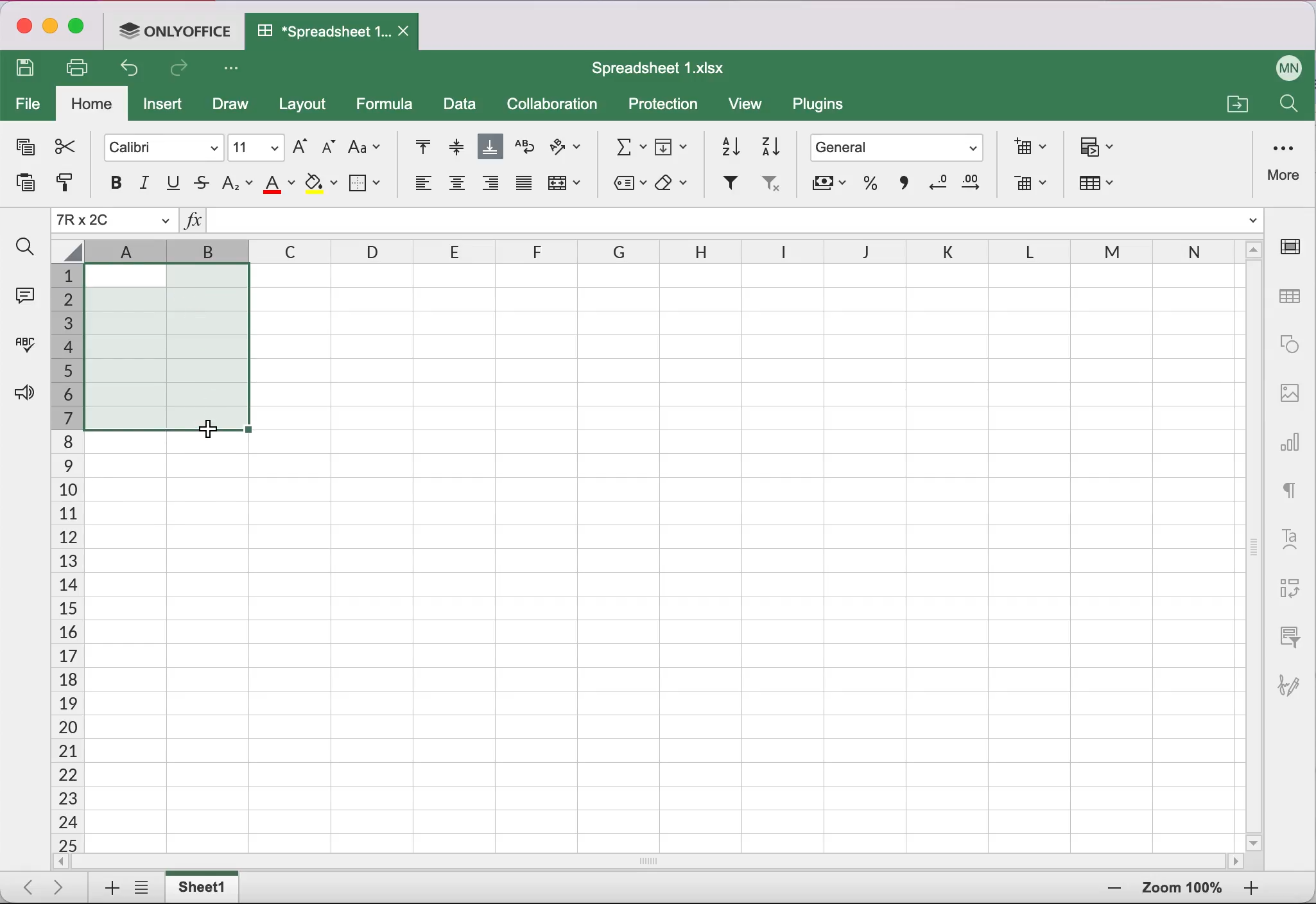 This screenshot has width=1316, height=904. Describe the element at coordinates (65, 559) in the screenshot. I see `number of cells` at that location.